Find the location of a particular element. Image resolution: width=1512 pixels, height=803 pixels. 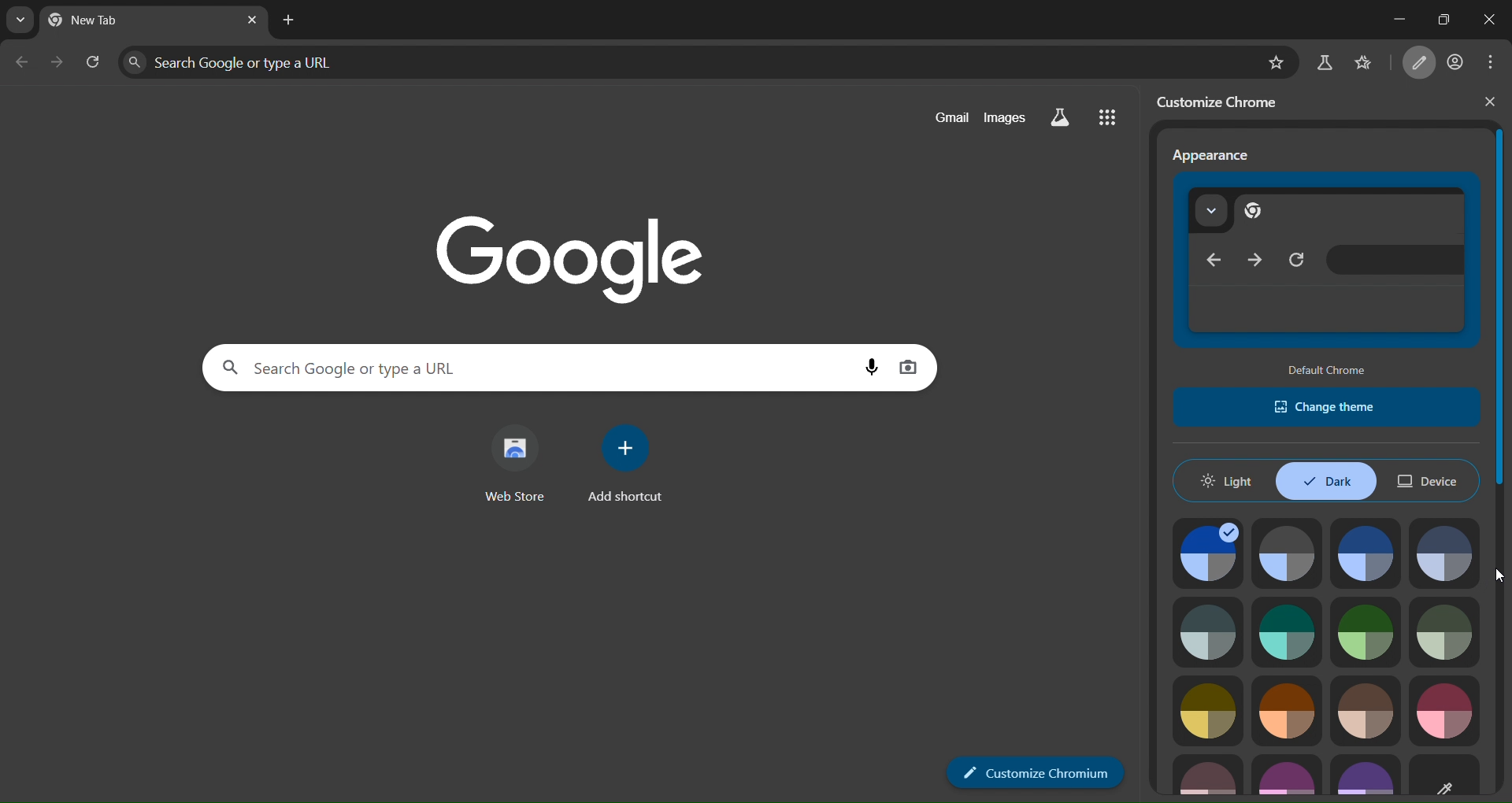

image search is located at coordinates (918, 364).